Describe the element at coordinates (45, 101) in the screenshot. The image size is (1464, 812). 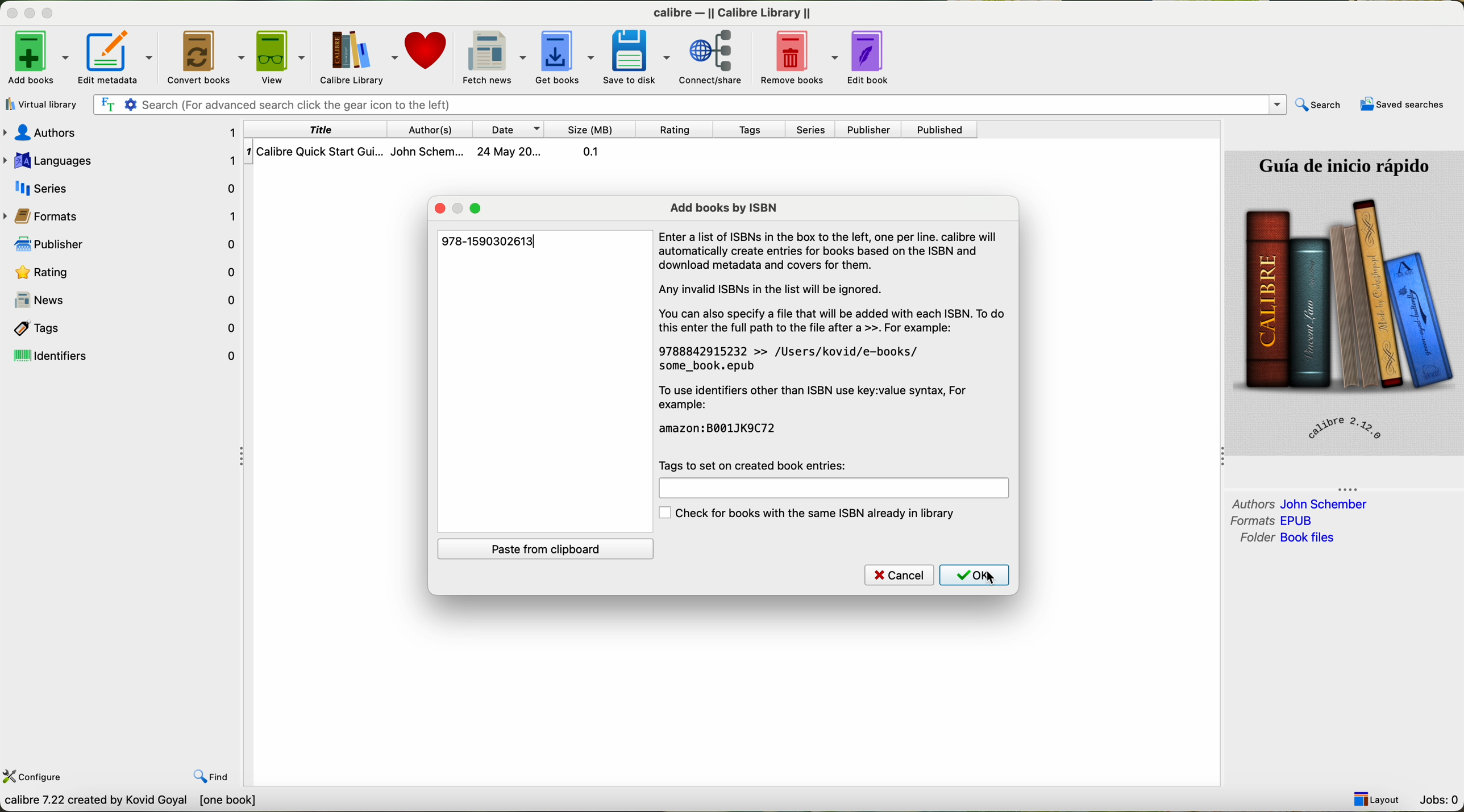
I see `add books from a single folder` at that location.